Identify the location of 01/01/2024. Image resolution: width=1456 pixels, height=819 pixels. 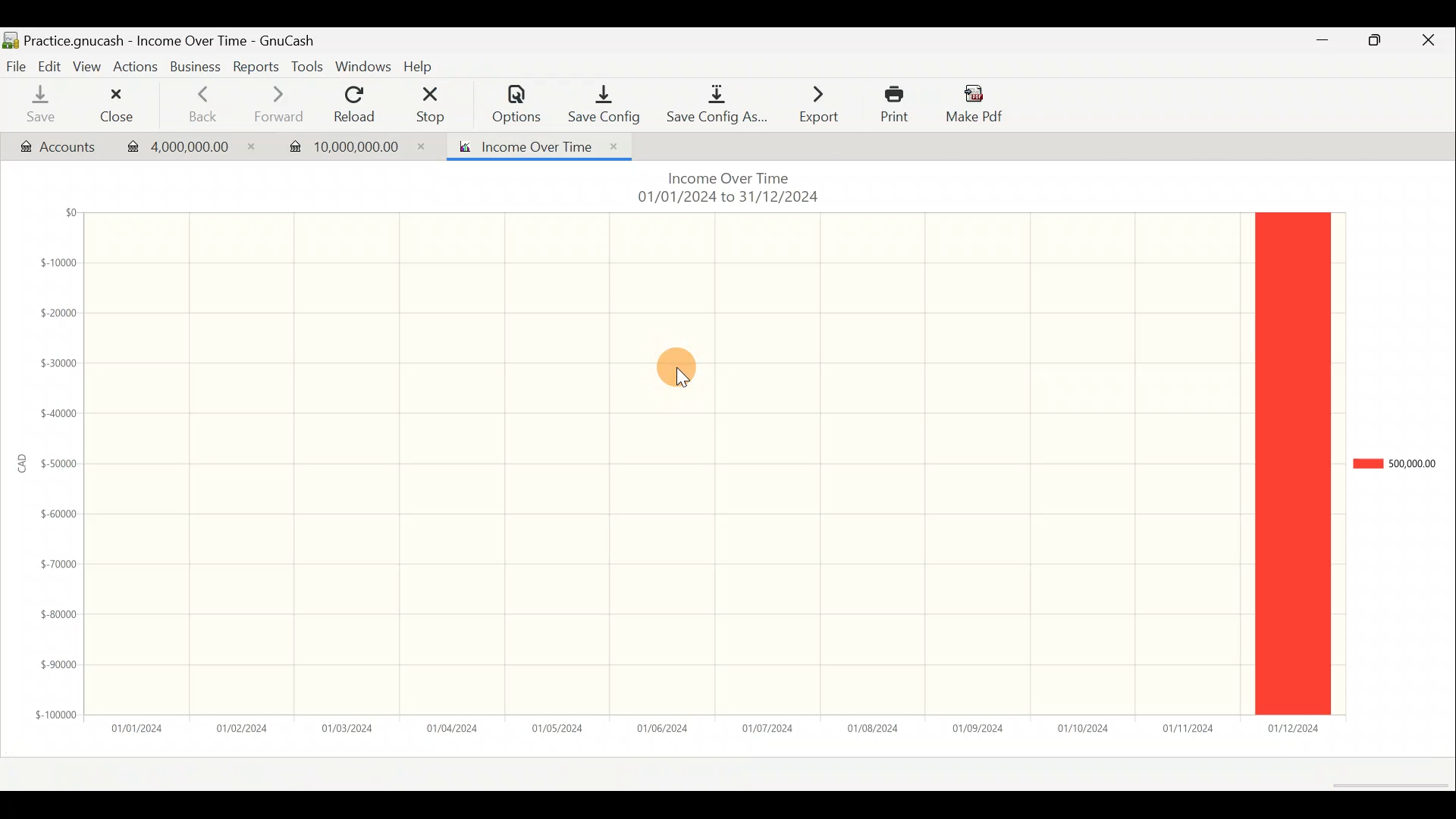
(140, 730).